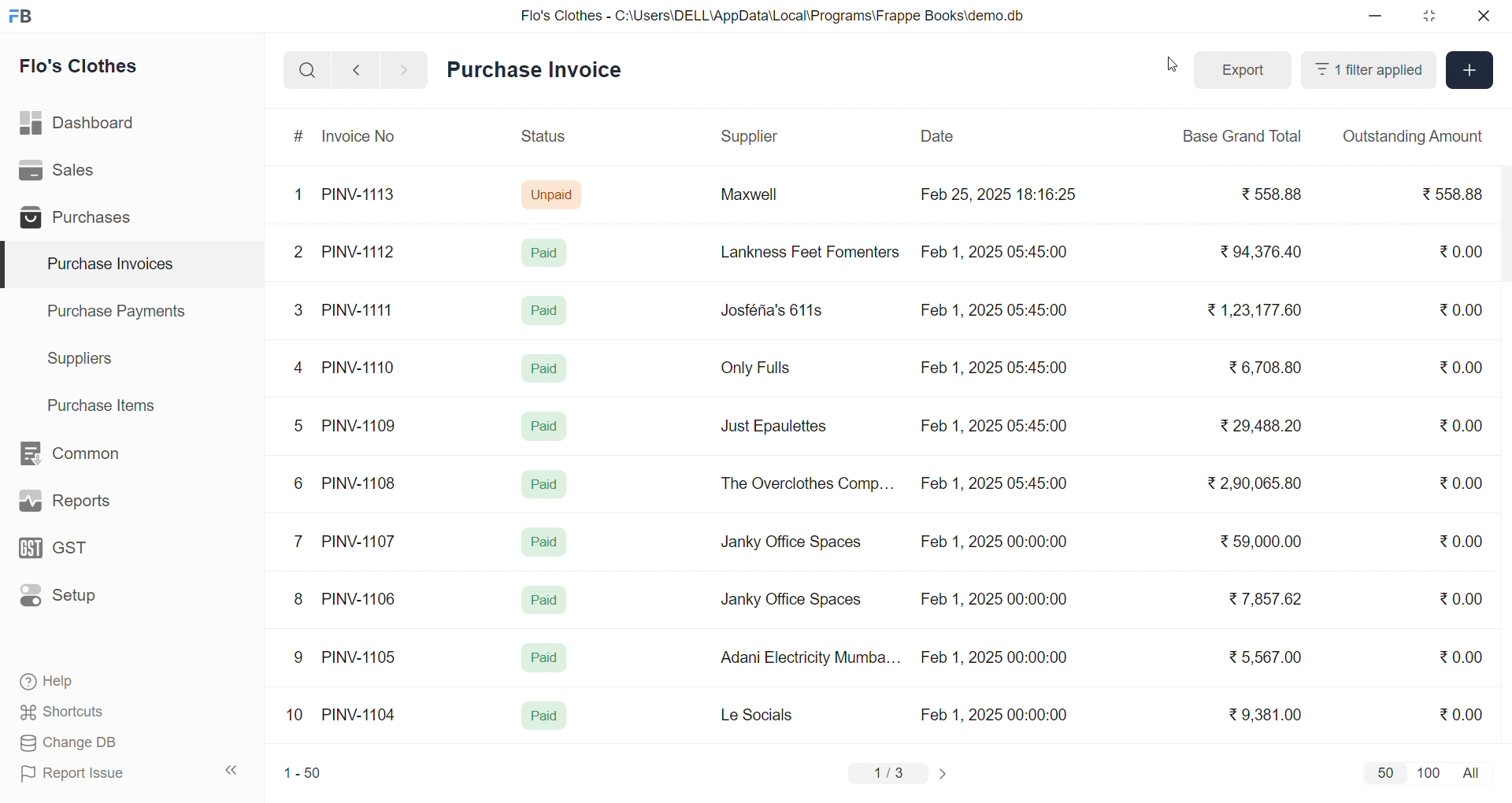  What do you see at coordinates (1452, 426) in the screenshot?
I see `₹0.00` at bounding box center [1452, 426].